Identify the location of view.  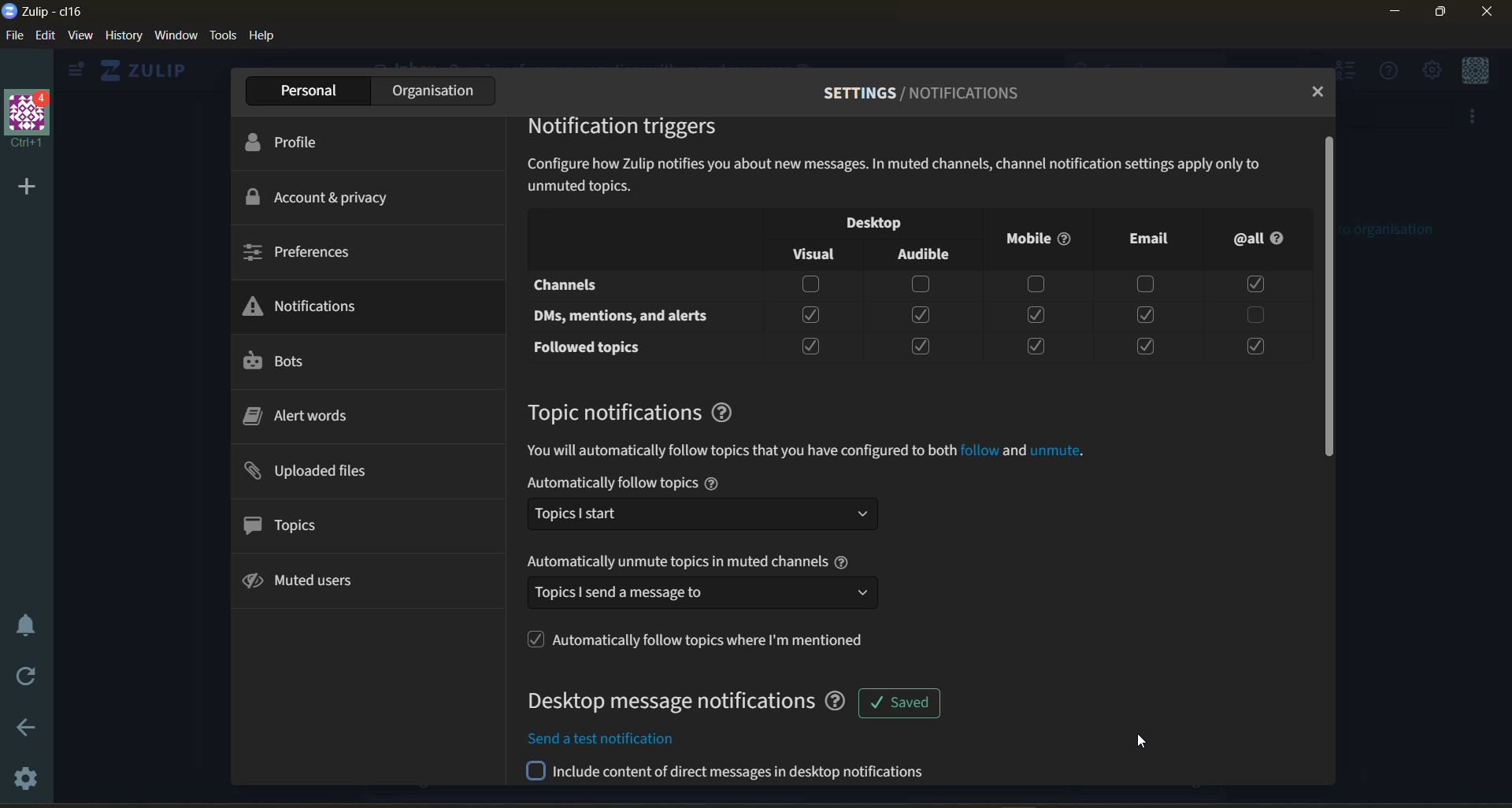
(83, 37).